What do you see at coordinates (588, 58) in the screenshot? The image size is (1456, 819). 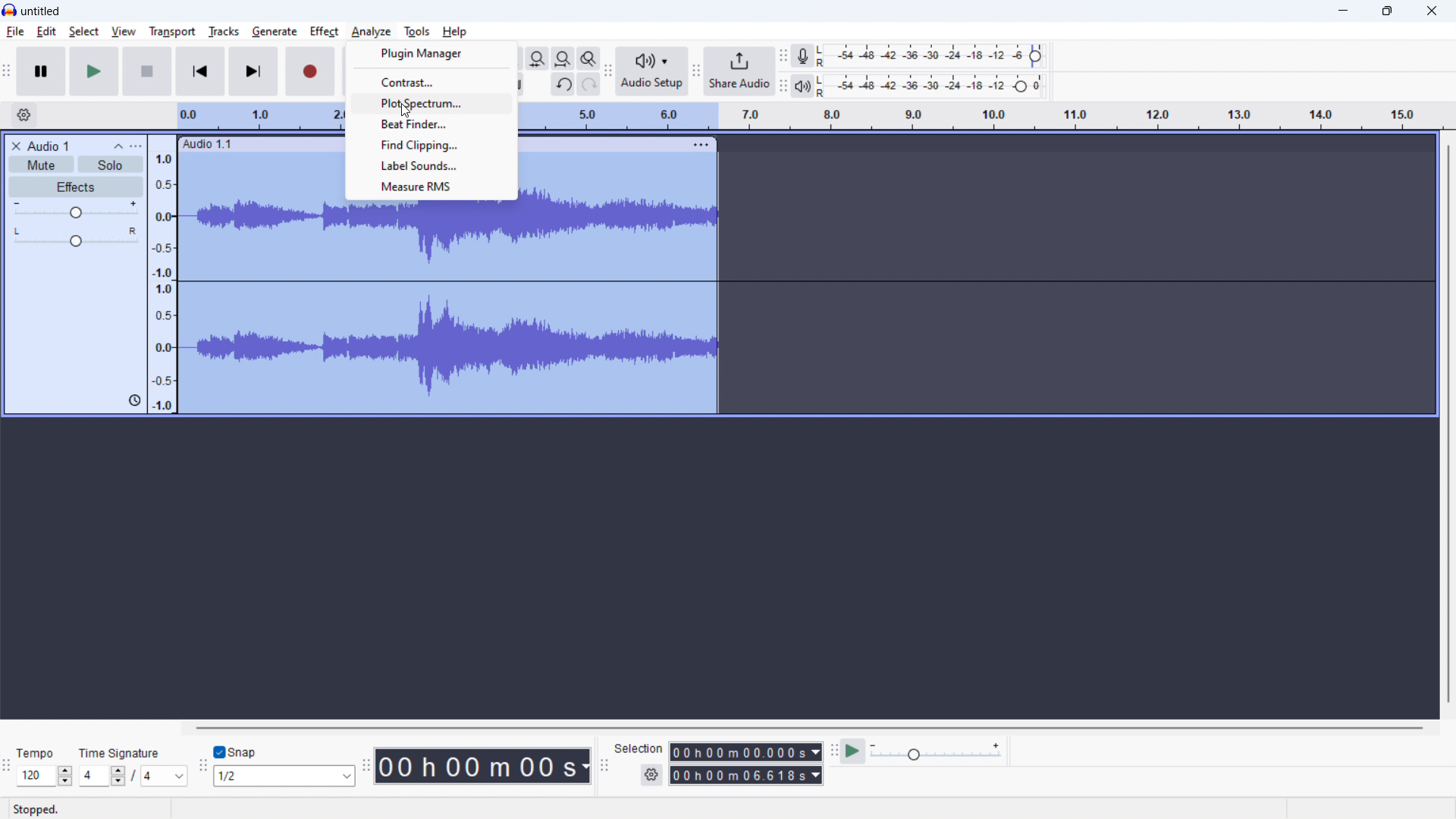 I see `toggle zoom` at bounding box center [588, 58].